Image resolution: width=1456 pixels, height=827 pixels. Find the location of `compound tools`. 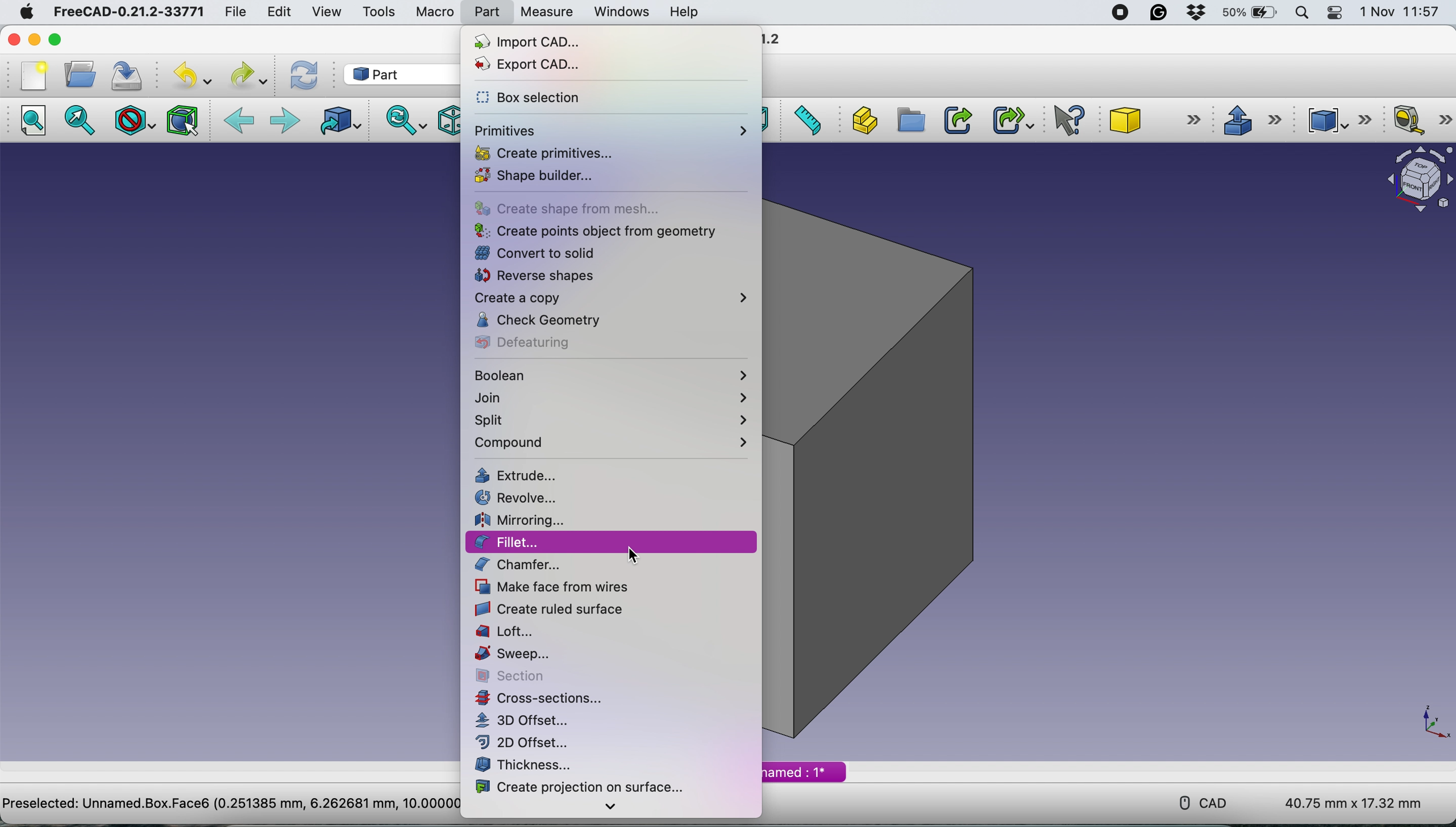

compound tools is located at coordinates (1342, 120).